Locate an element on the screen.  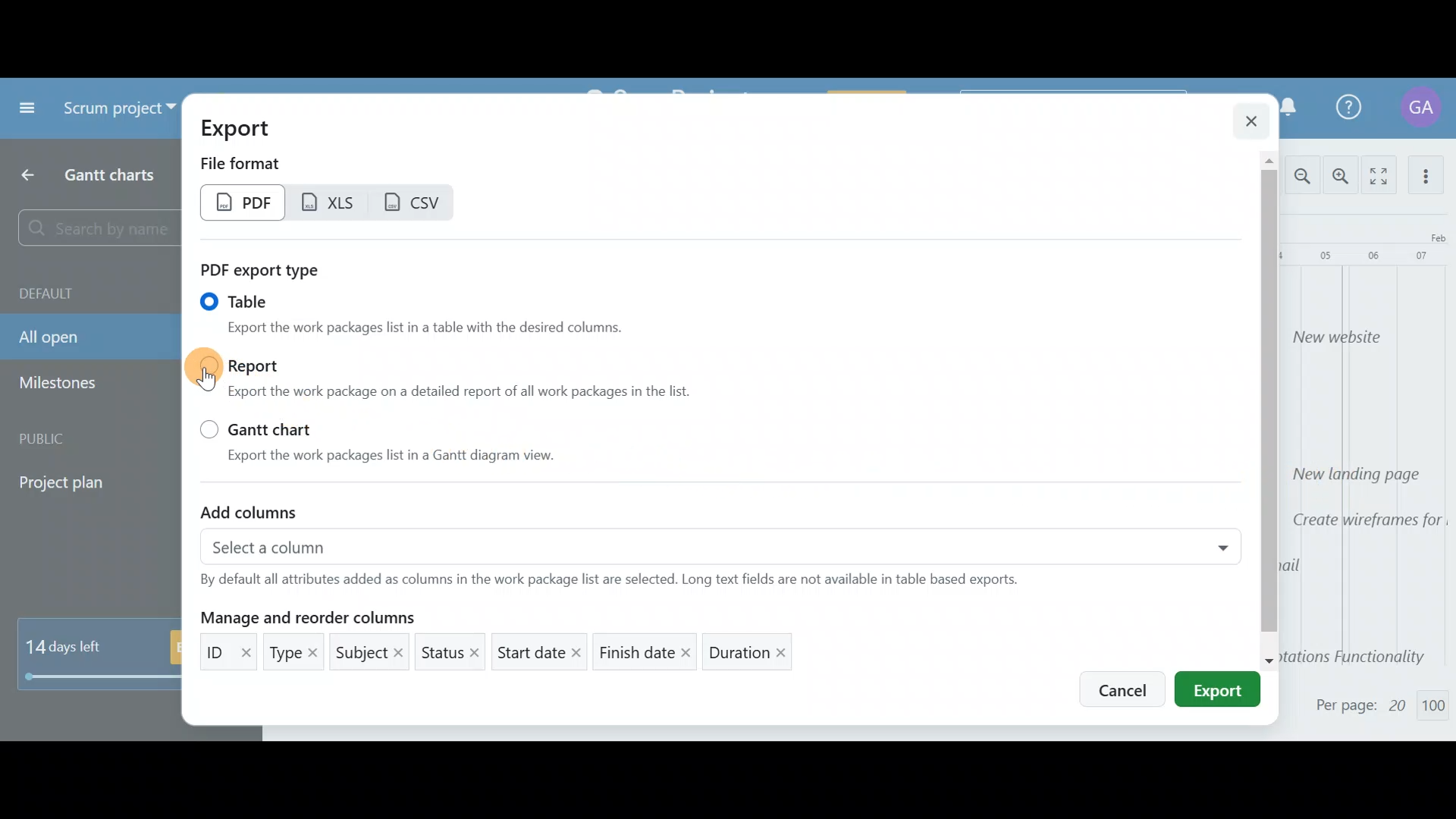
Milestones is located at coordinates (71, 384).